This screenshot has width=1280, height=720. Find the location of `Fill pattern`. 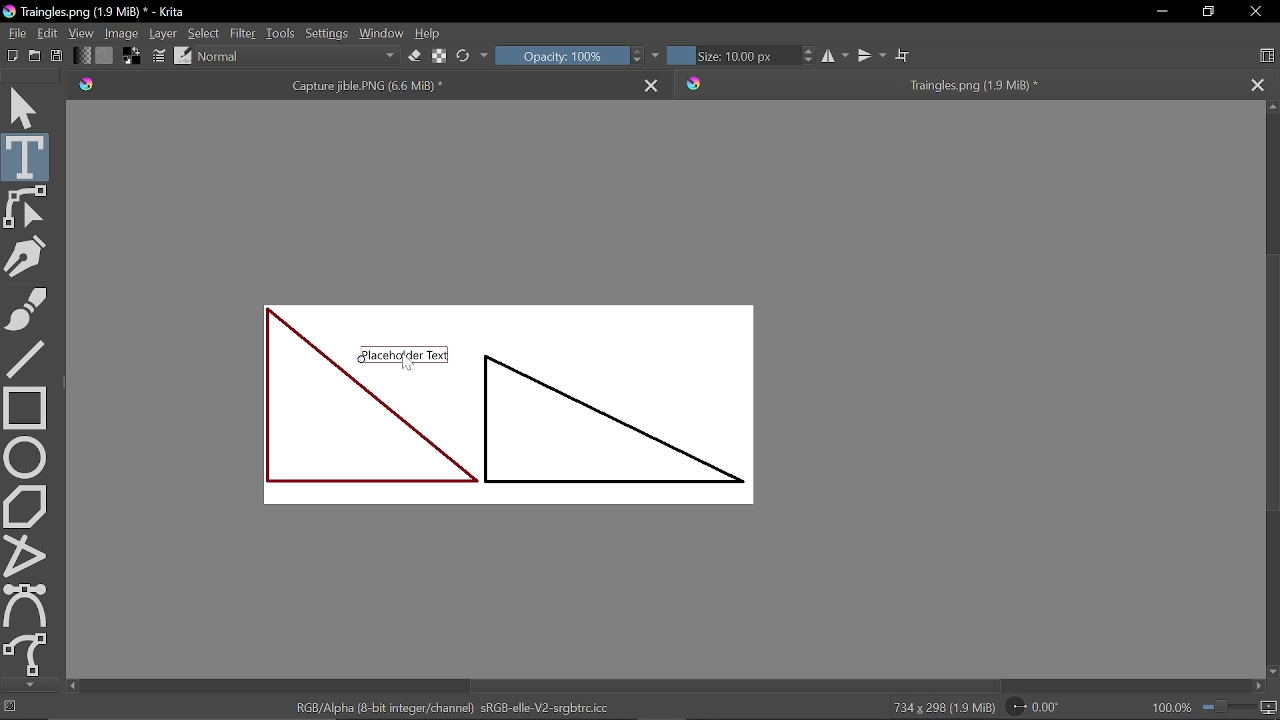

Fill pattern is located at coordinates (104, 55).